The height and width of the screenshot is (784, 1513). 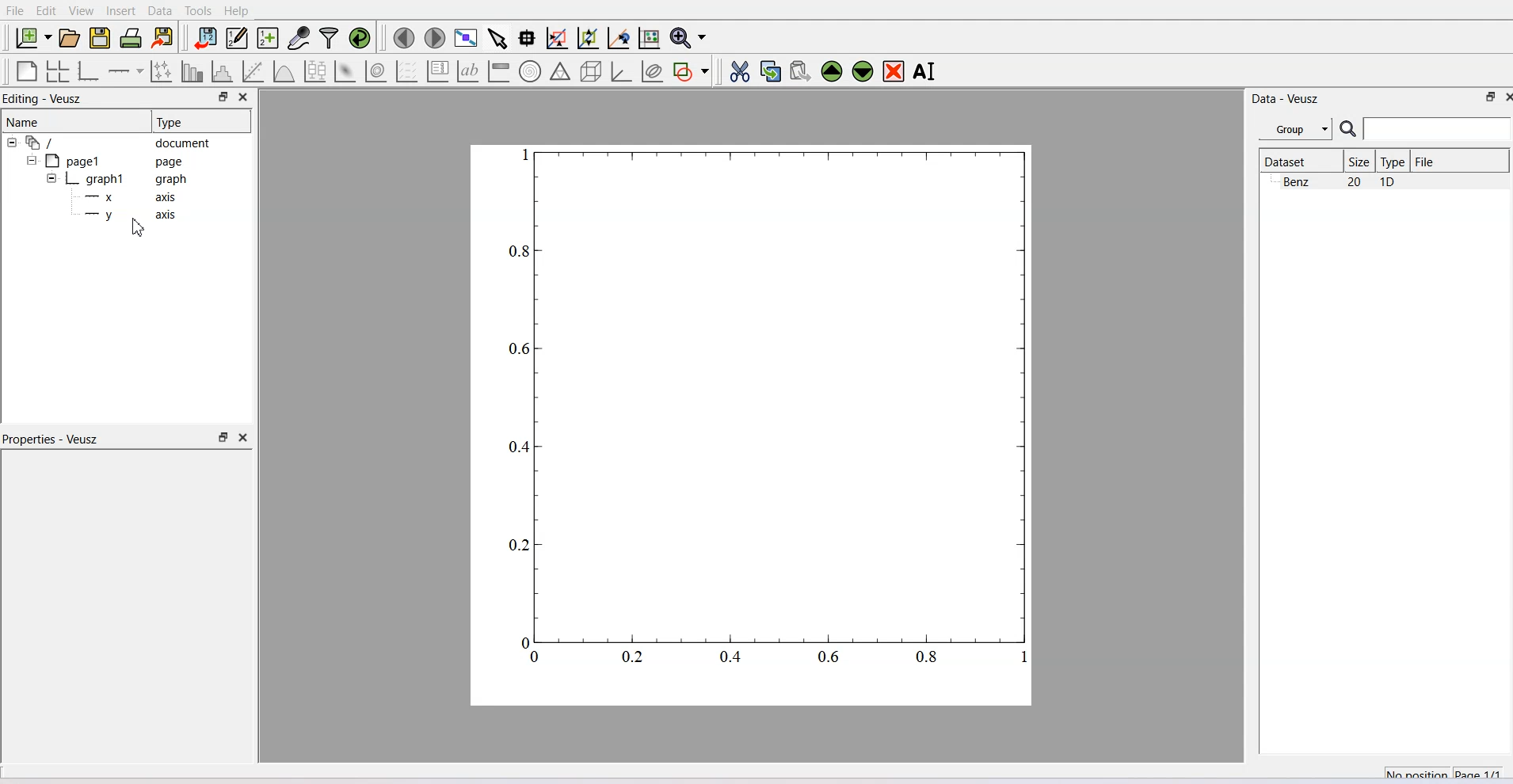 What do you see at coordinates (163, 38) in the screenshot?
I see `Export to graphics format` at bounding box center [163, 38].